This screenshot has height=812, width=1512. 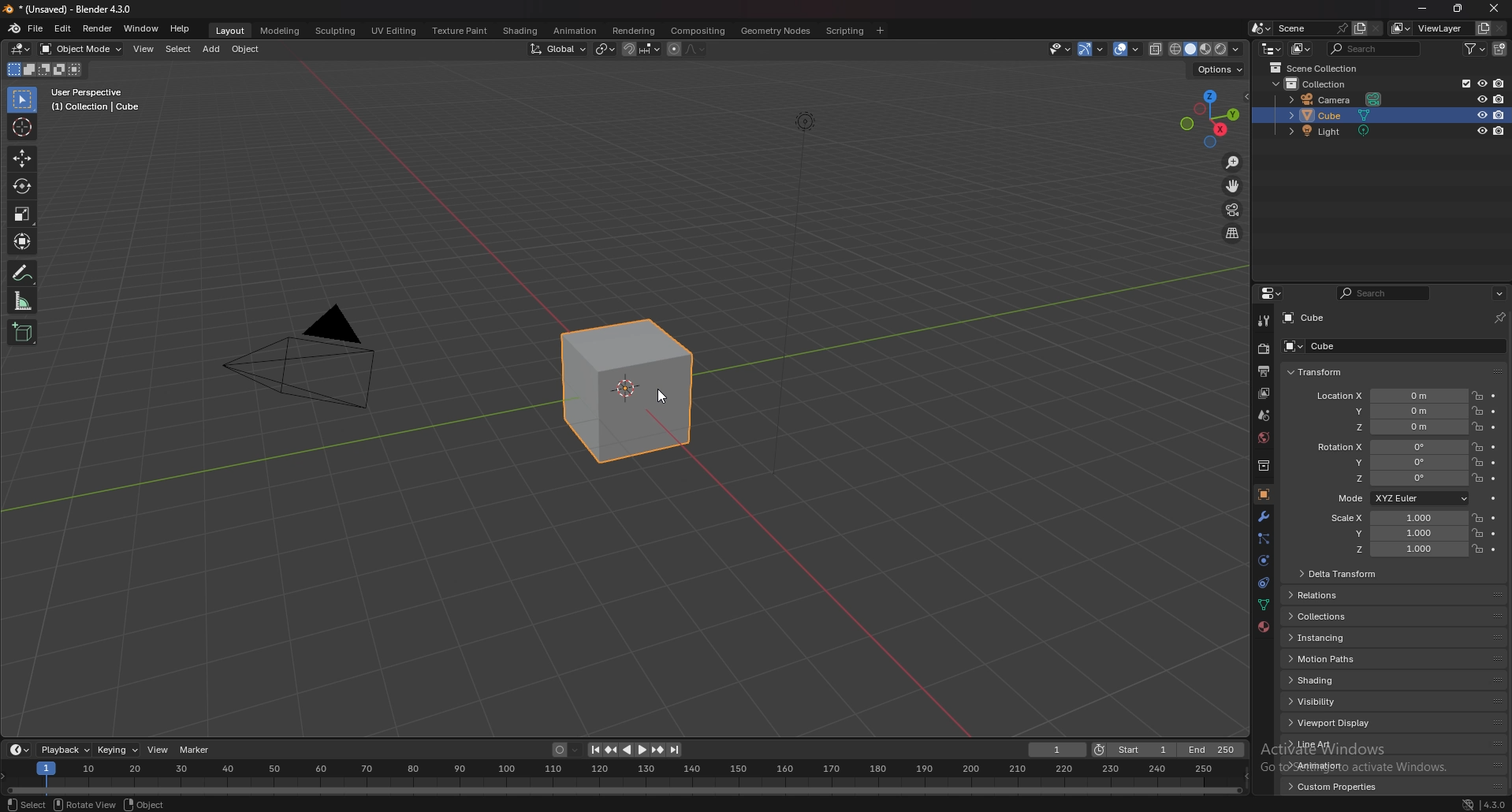 I want to click on editor type, so click(x=1272, y=49).